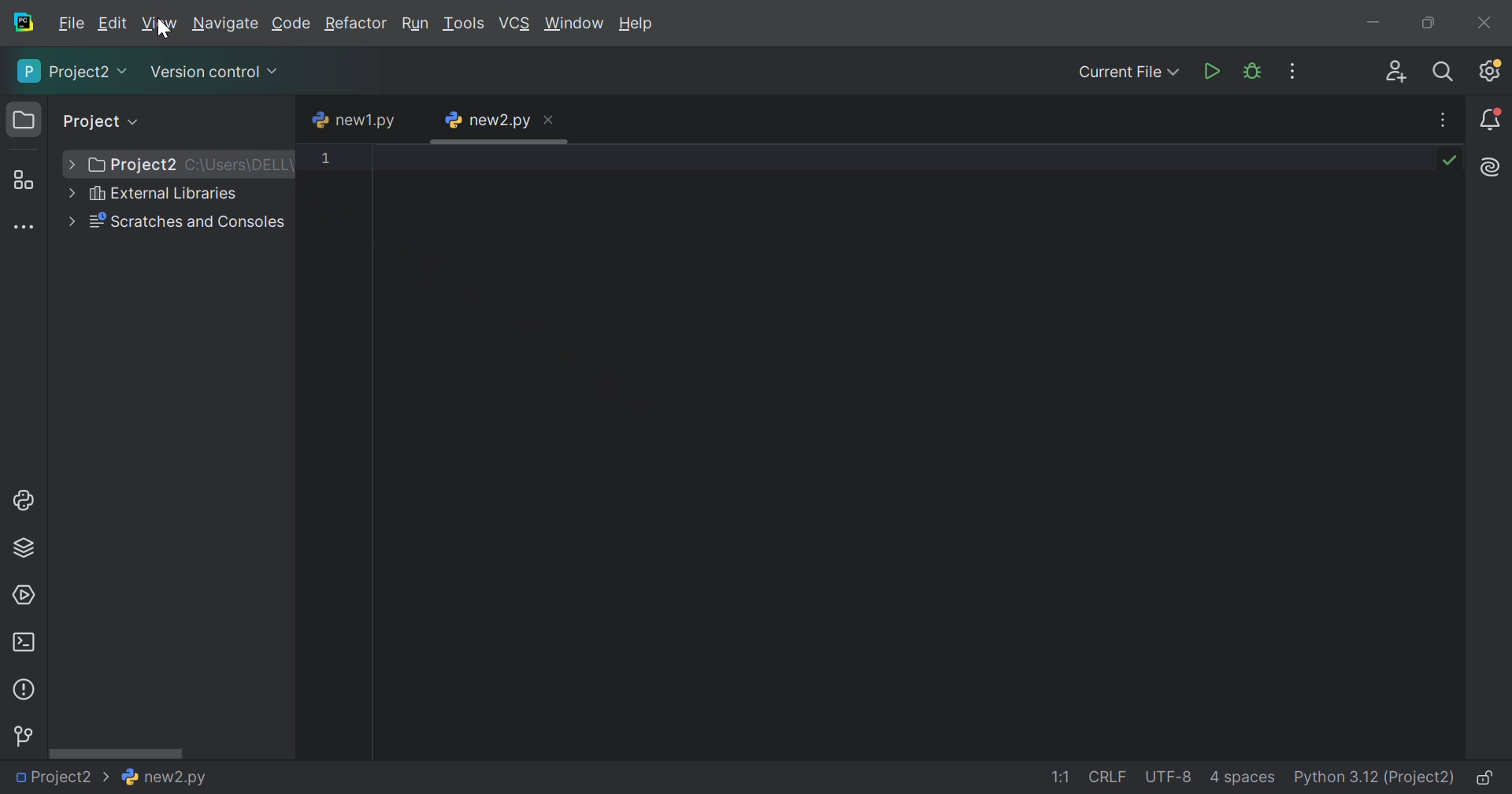 The image size is (1512, 794). I want to click on Project2, so click(135, 163).